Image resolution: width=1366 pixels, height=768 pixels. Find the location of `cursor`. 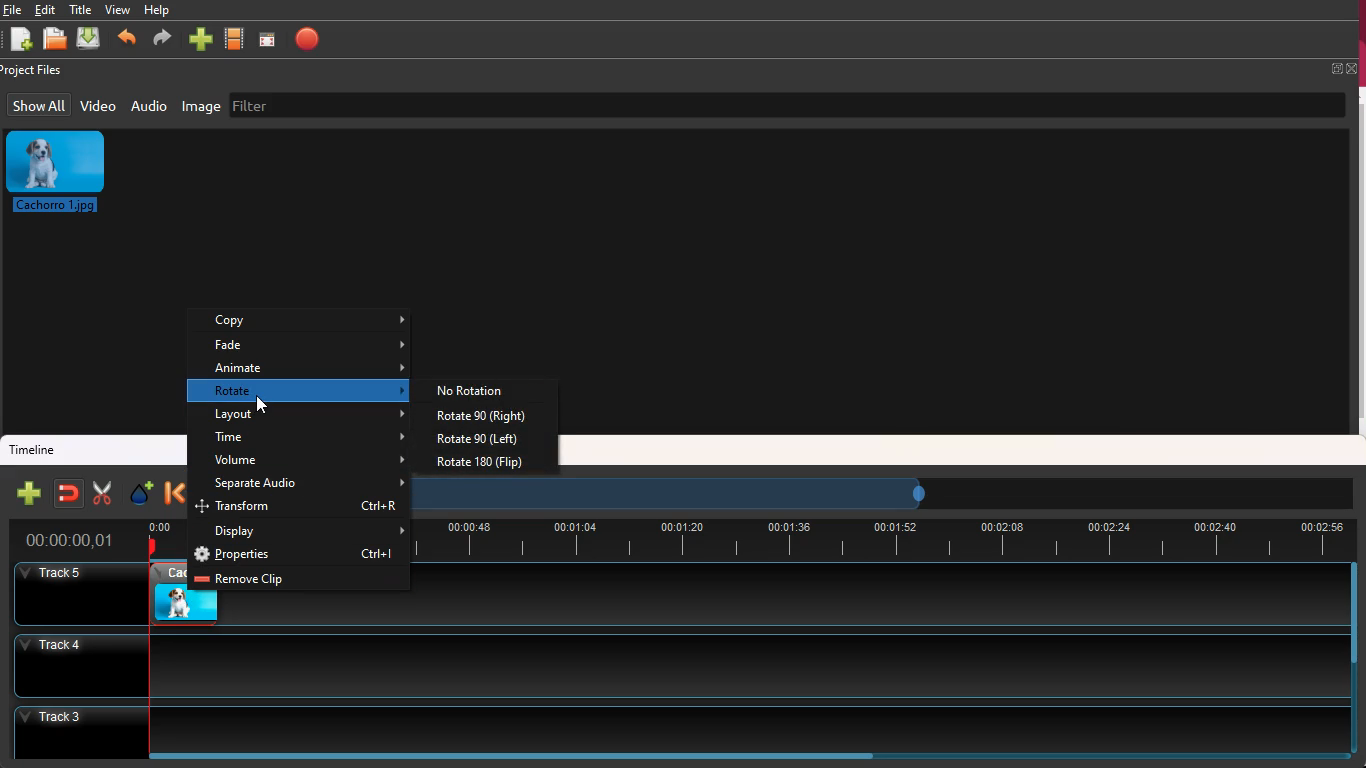

cursor is located at coordinates (265, 408).